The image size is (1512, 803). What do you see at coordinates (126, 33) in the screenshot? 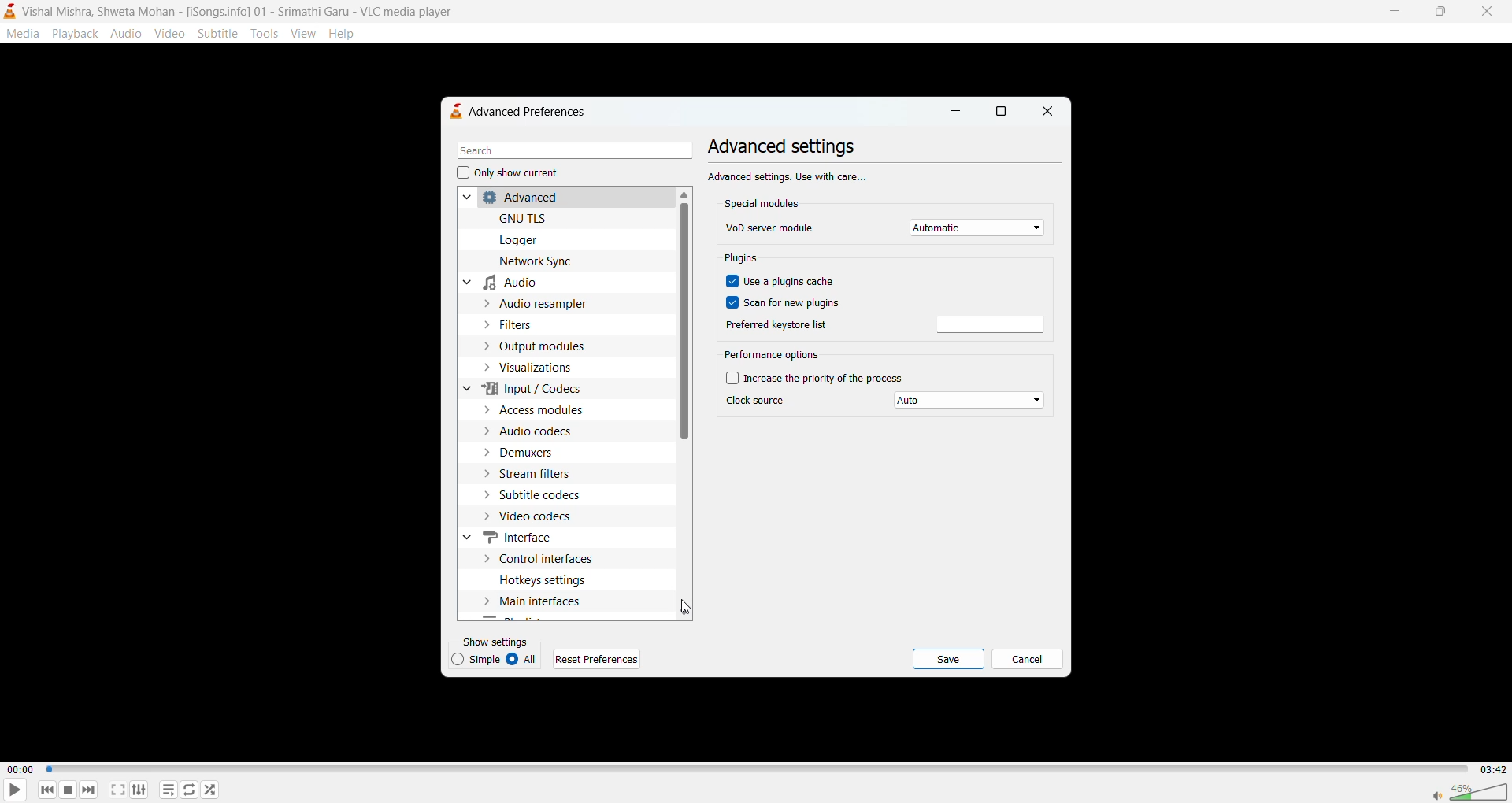
I see `audio` at bounding box center [126, 33].